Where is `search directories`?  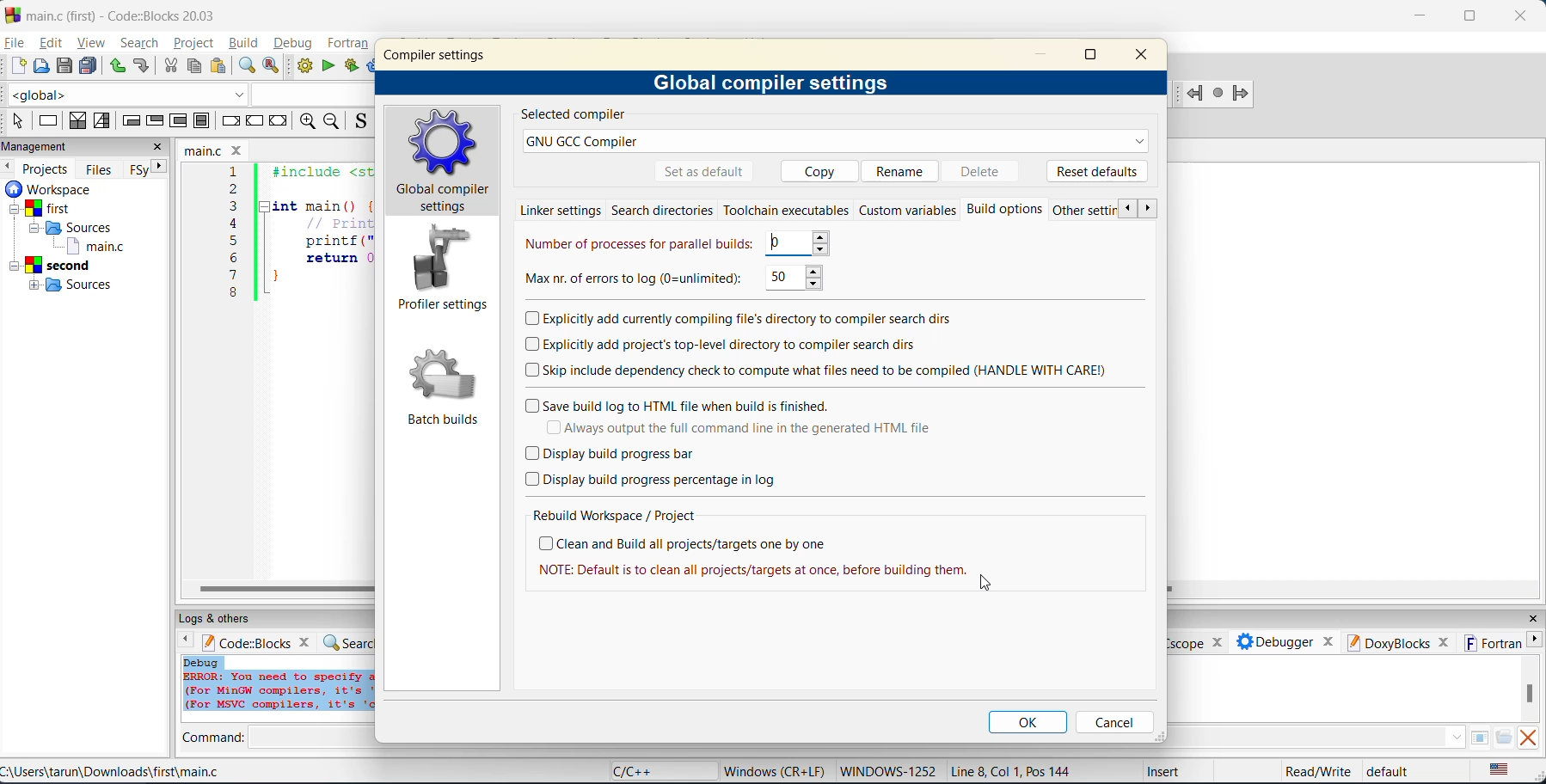
search directories is located at coordinates (664, 211).